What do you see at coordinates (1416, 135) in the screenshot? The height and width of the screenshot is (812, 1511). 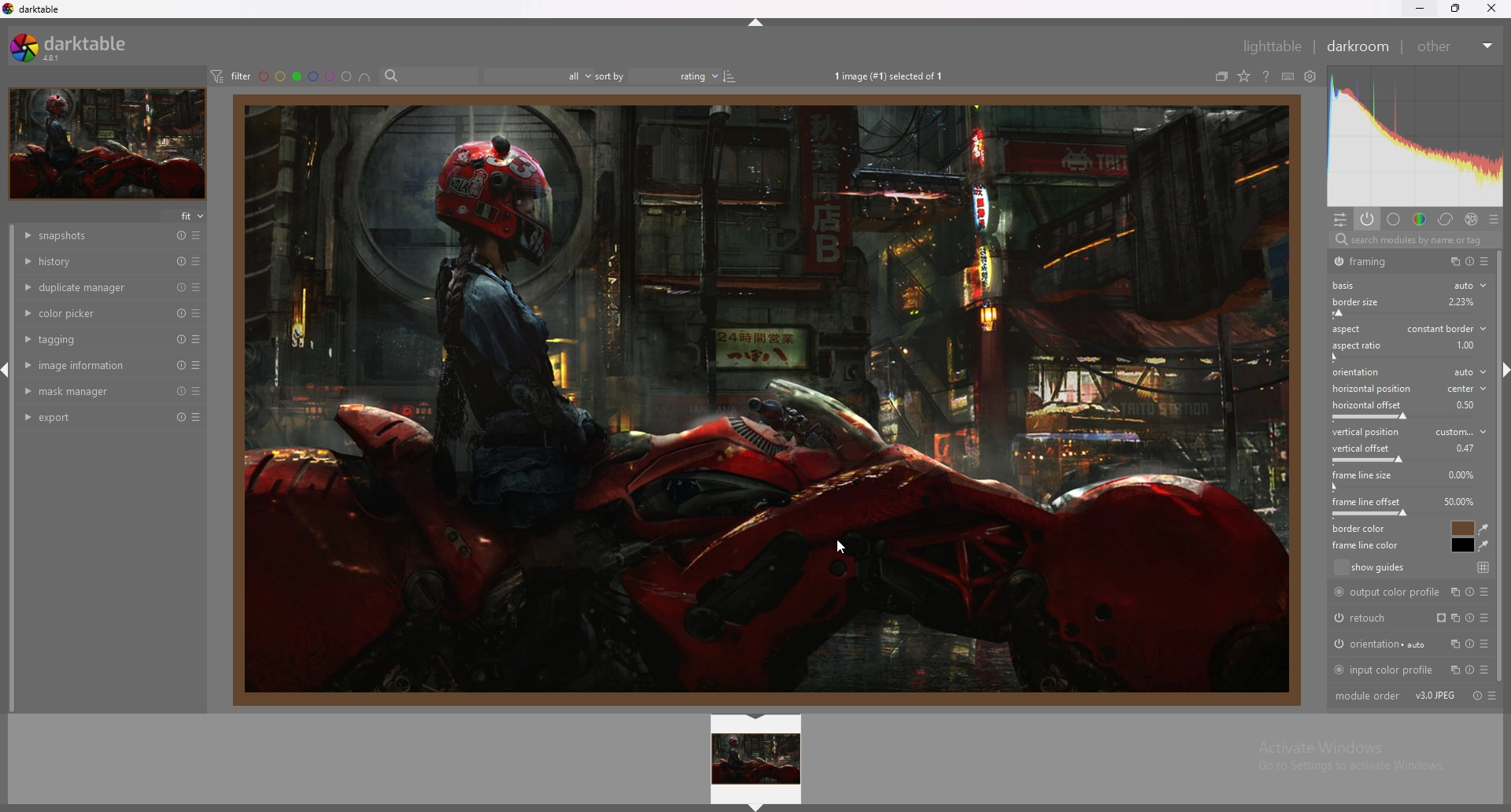 I see `photo heatmap` at bounding box center [1416, 135].